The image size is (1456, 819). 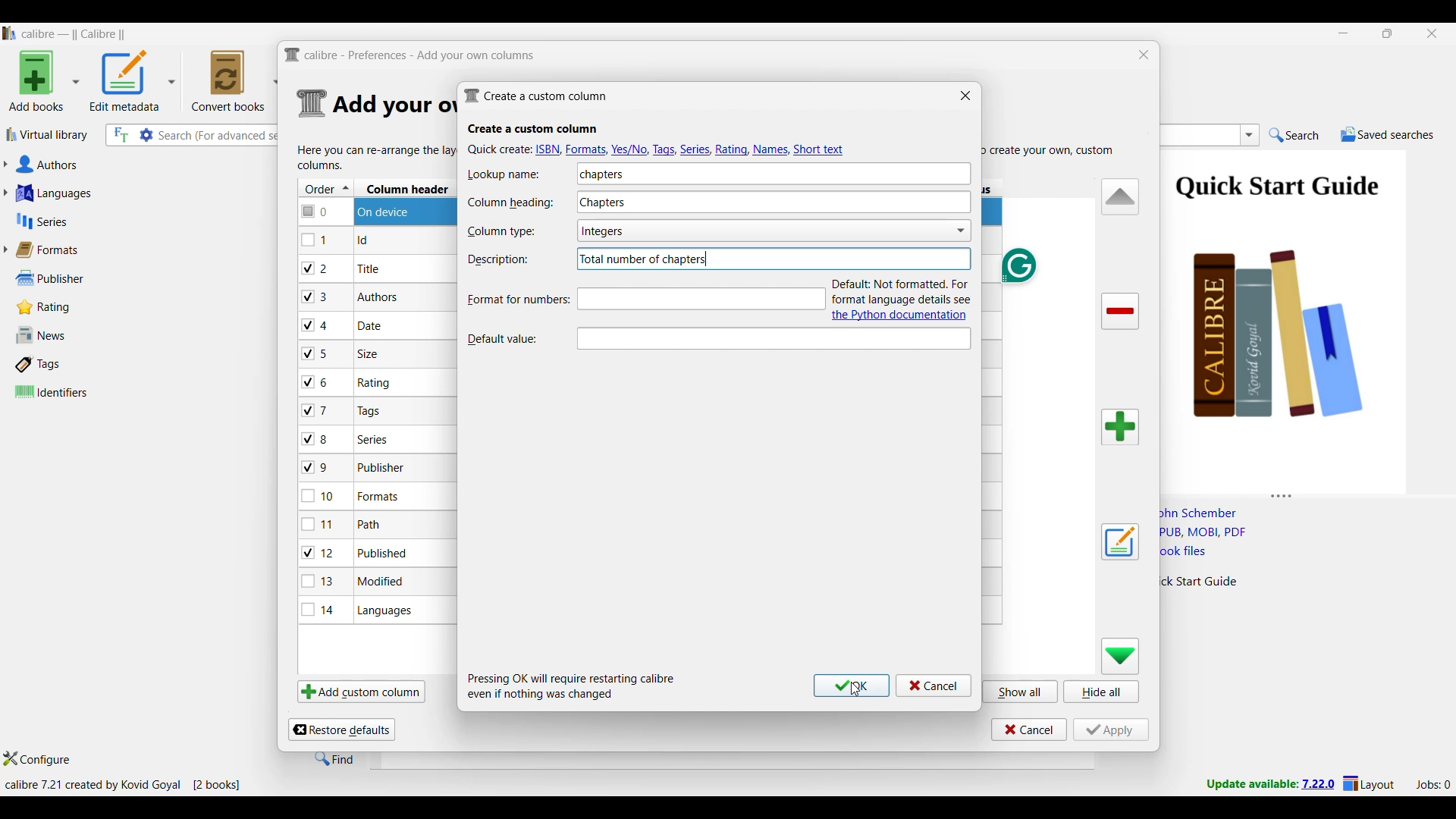 What do you see at coordinates (1101, 692) in the screenshot?
I see `Hide all` at bounding box center [1101, 692].